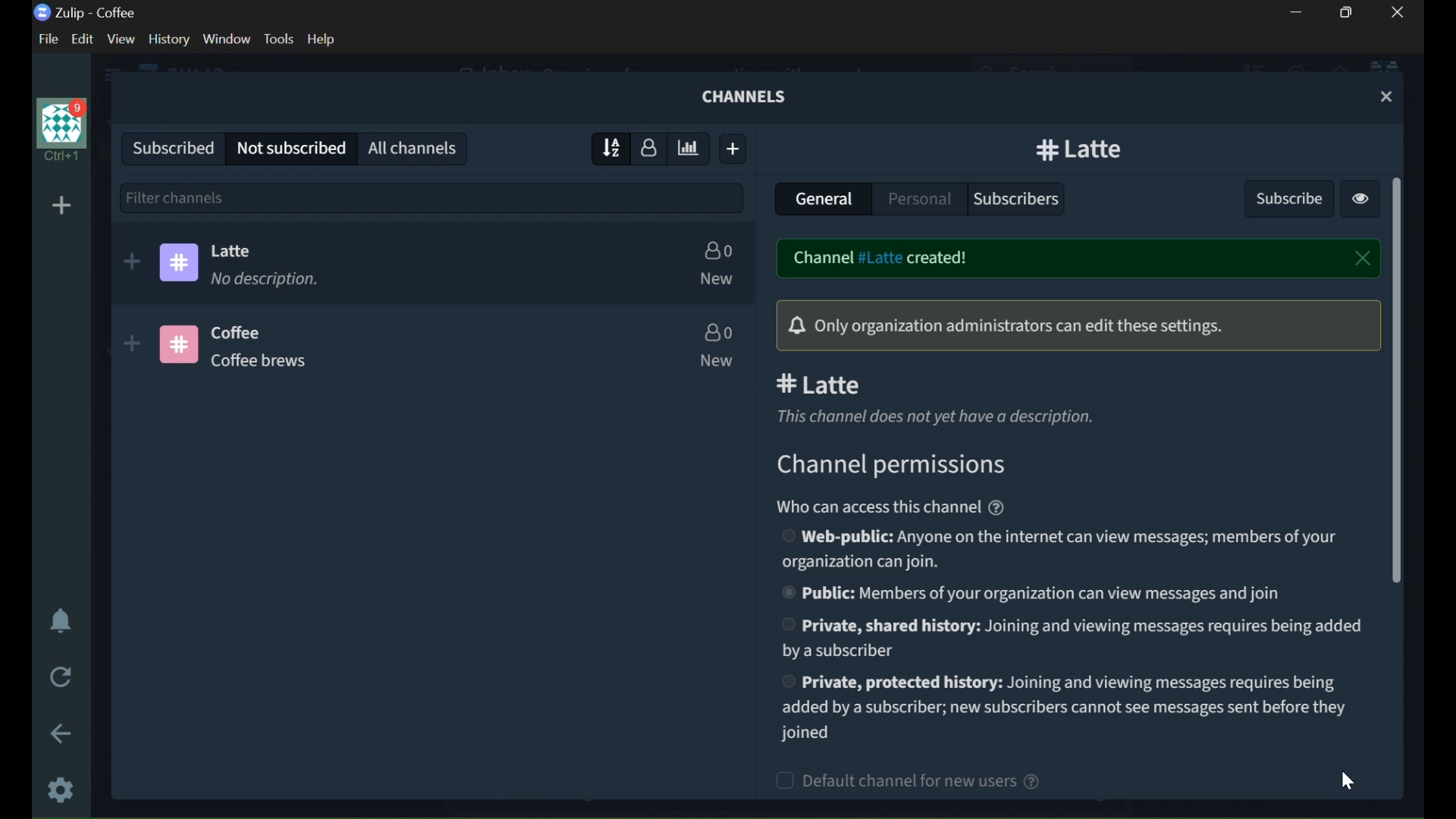 Image resolution: width=1456 pixels, height=819 pixels. What do you see at coordinates (61, 623) in the screenshot?
I see `ENABLE DO NOT DISTURBE` at bounding box center [61, 623].